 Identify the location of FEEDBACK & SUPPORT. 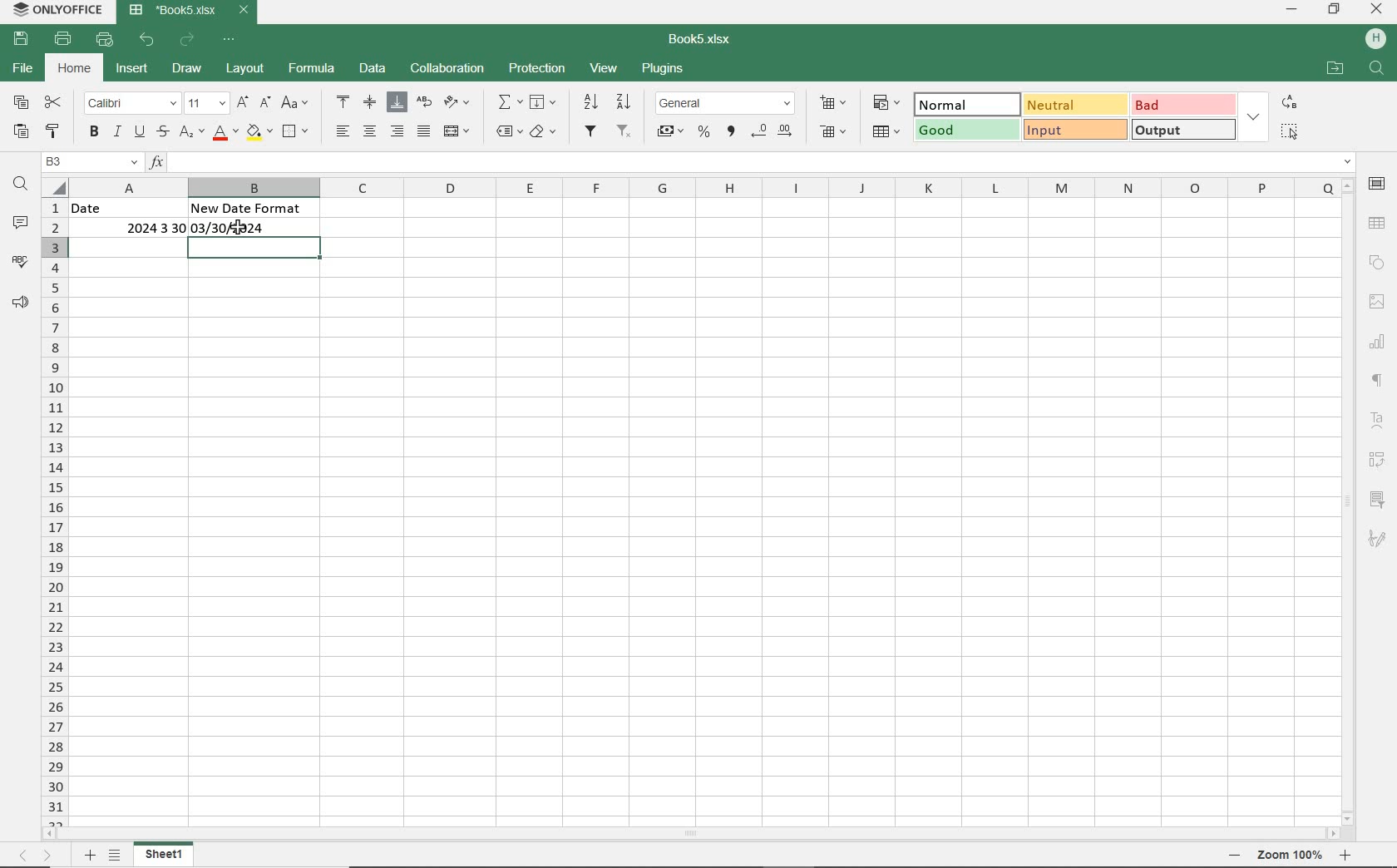
(21, 303).